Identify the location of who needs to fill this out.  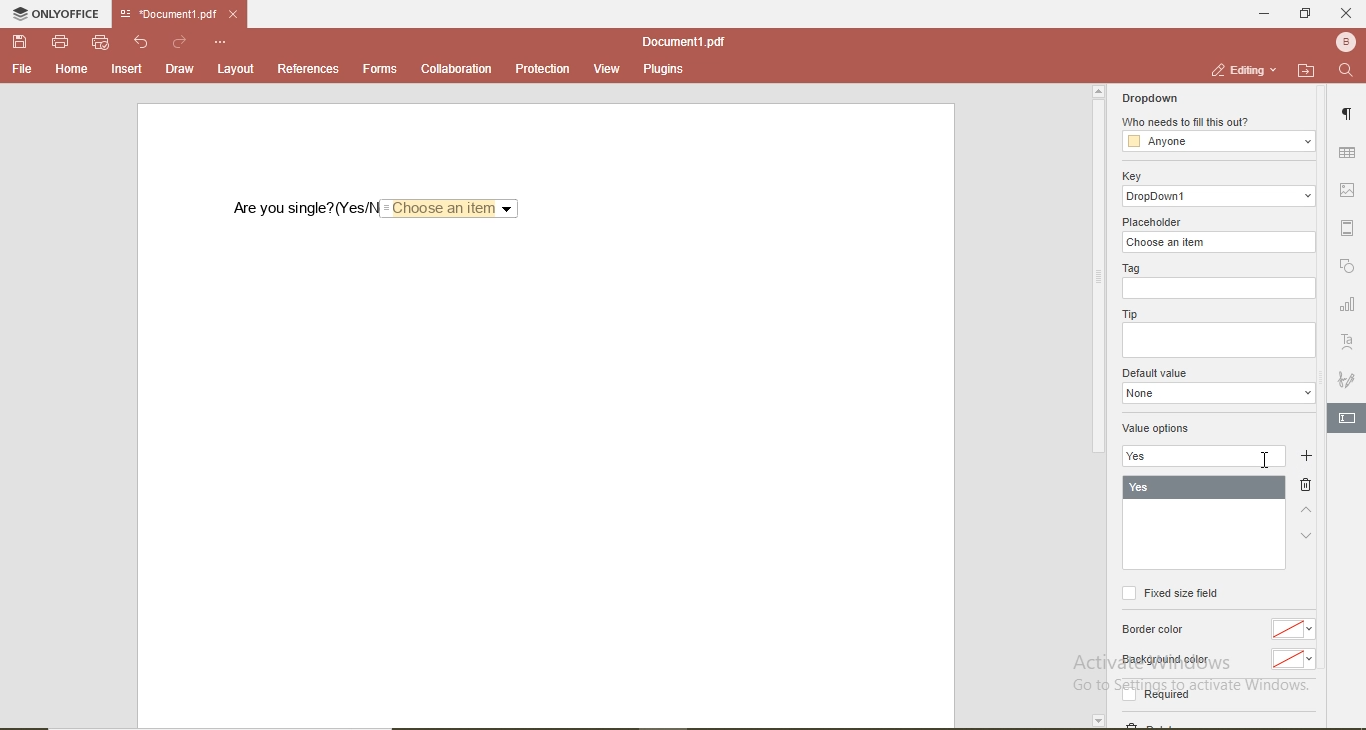
(1188, 122).